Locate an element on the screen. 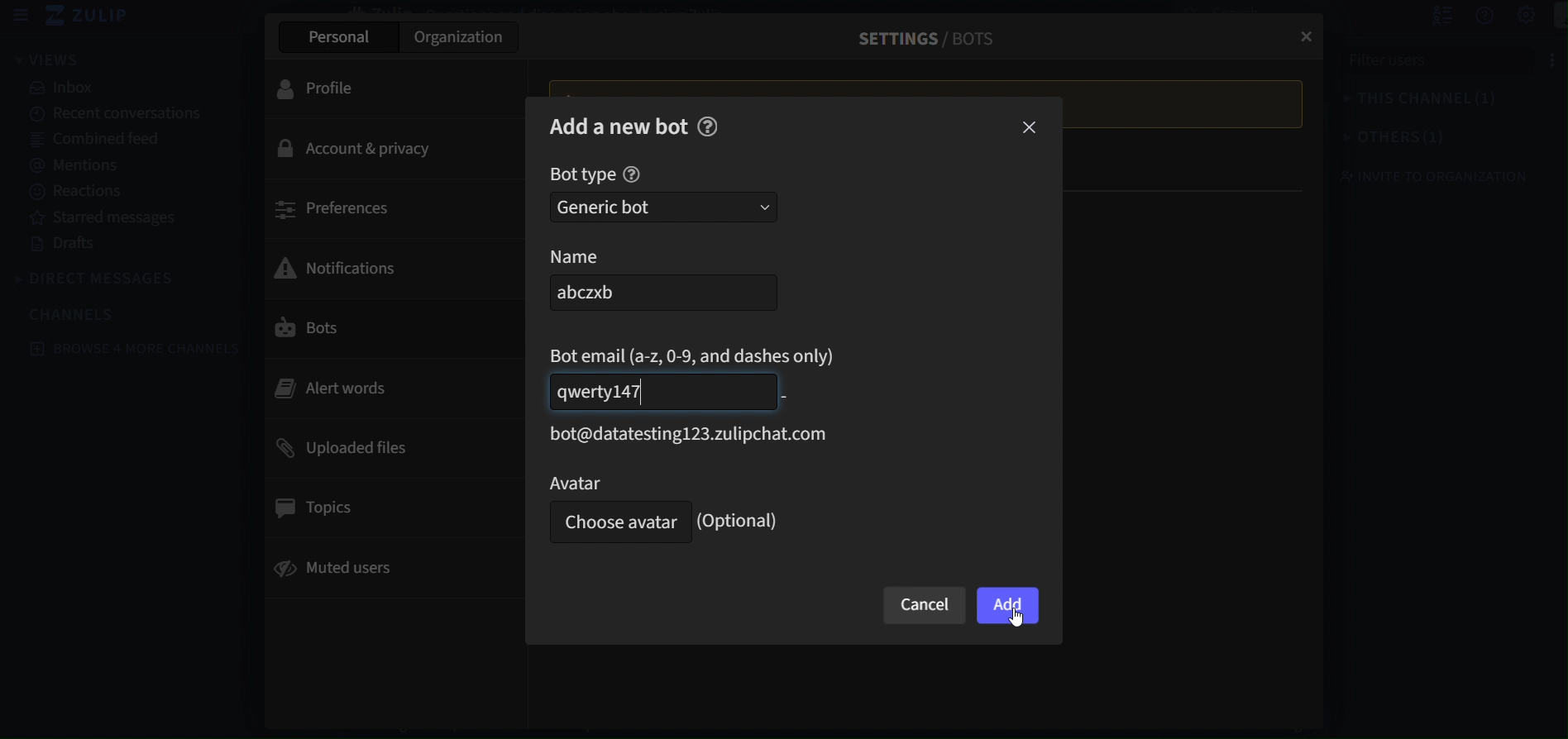 This screenshot has height=739, width=1568. Choose Avatar is located at coordinates (616, 523).